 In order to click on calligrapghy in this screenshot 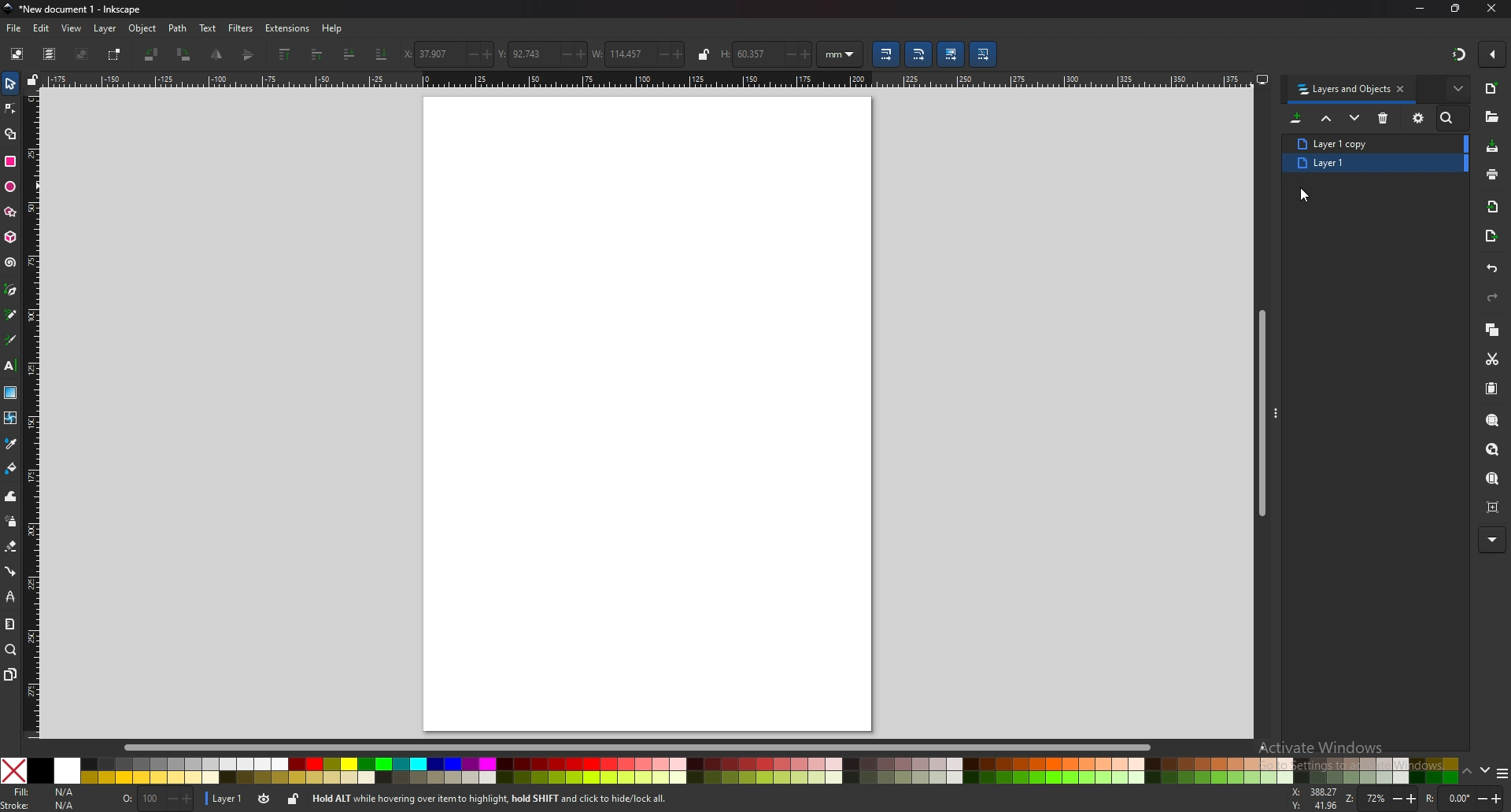, I will do `click(10, 340)`.